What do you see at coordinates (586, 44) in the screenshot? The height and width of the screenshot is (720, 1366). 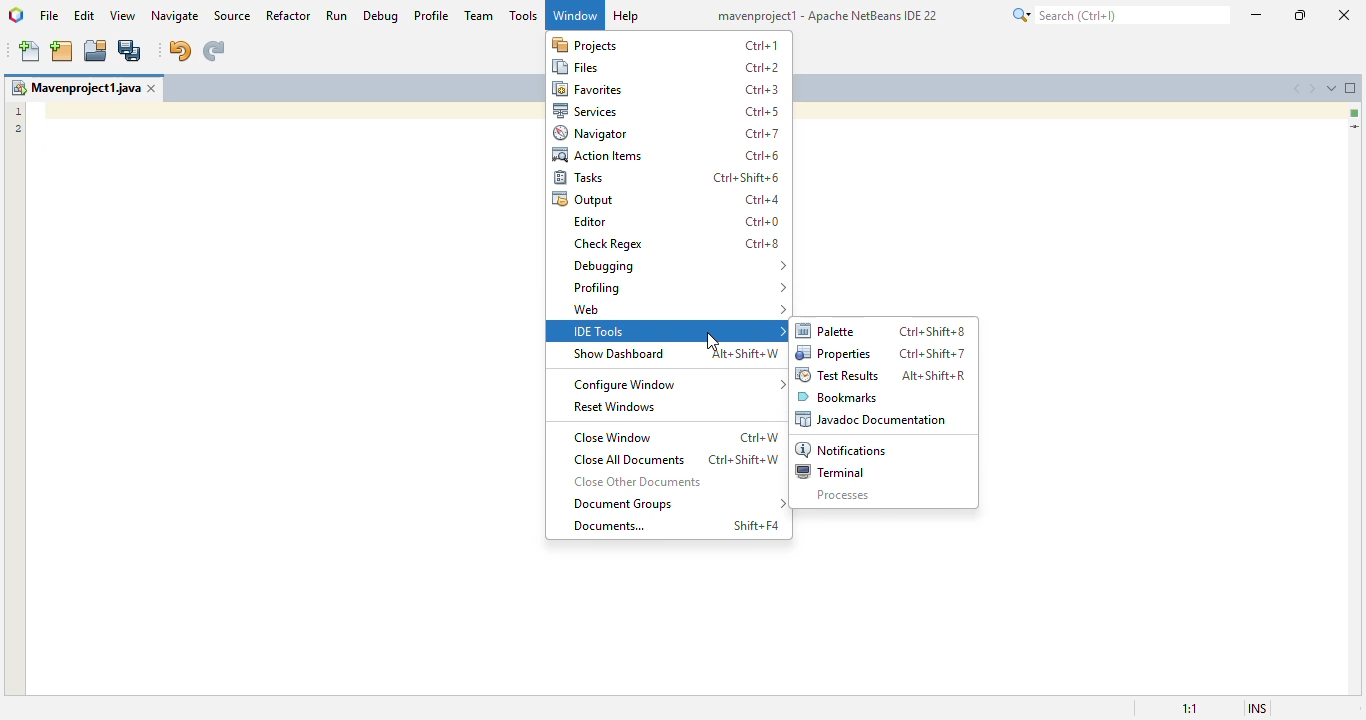 I see `projects` at bounding box center [586, 44].